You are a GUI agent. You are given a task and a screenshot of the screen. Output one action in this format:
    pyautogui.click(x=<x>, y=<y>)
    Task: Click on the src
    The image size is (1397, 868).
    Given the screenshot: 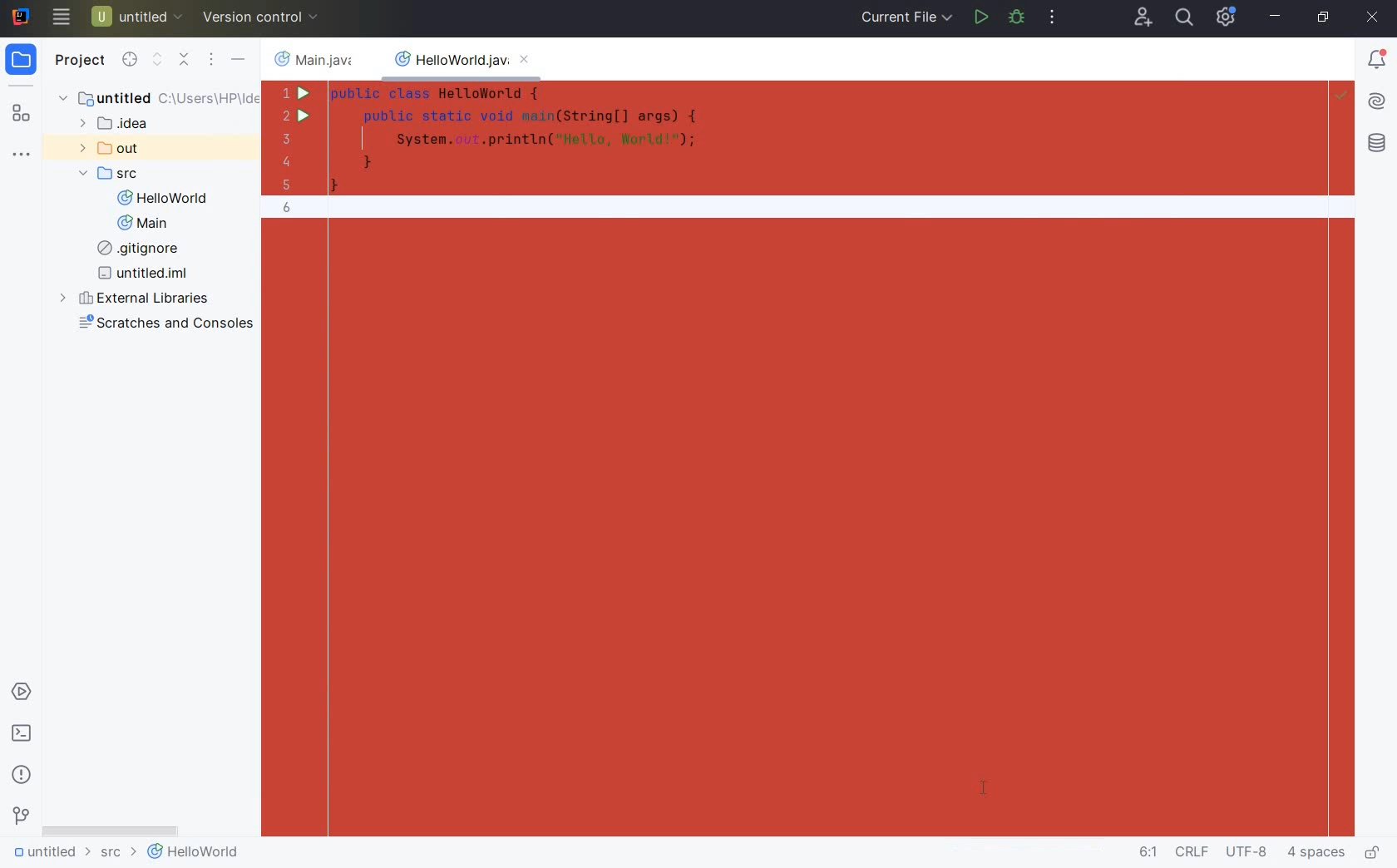 What is the action you would take?
    pyautogui.click(x=116, y=856)
    